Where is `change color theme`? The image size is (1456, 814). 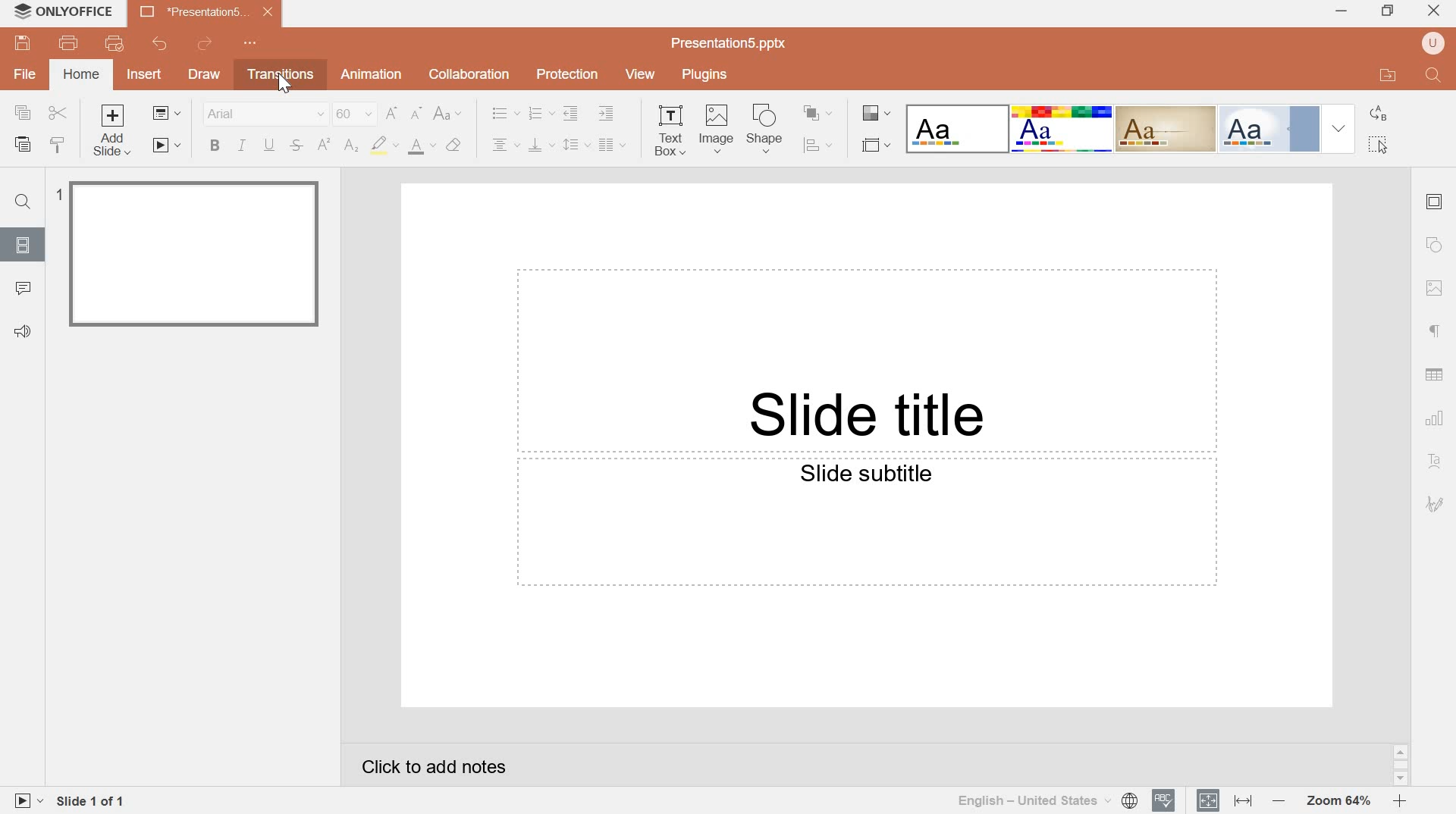
change color theme is located at coordinates (878, 114).